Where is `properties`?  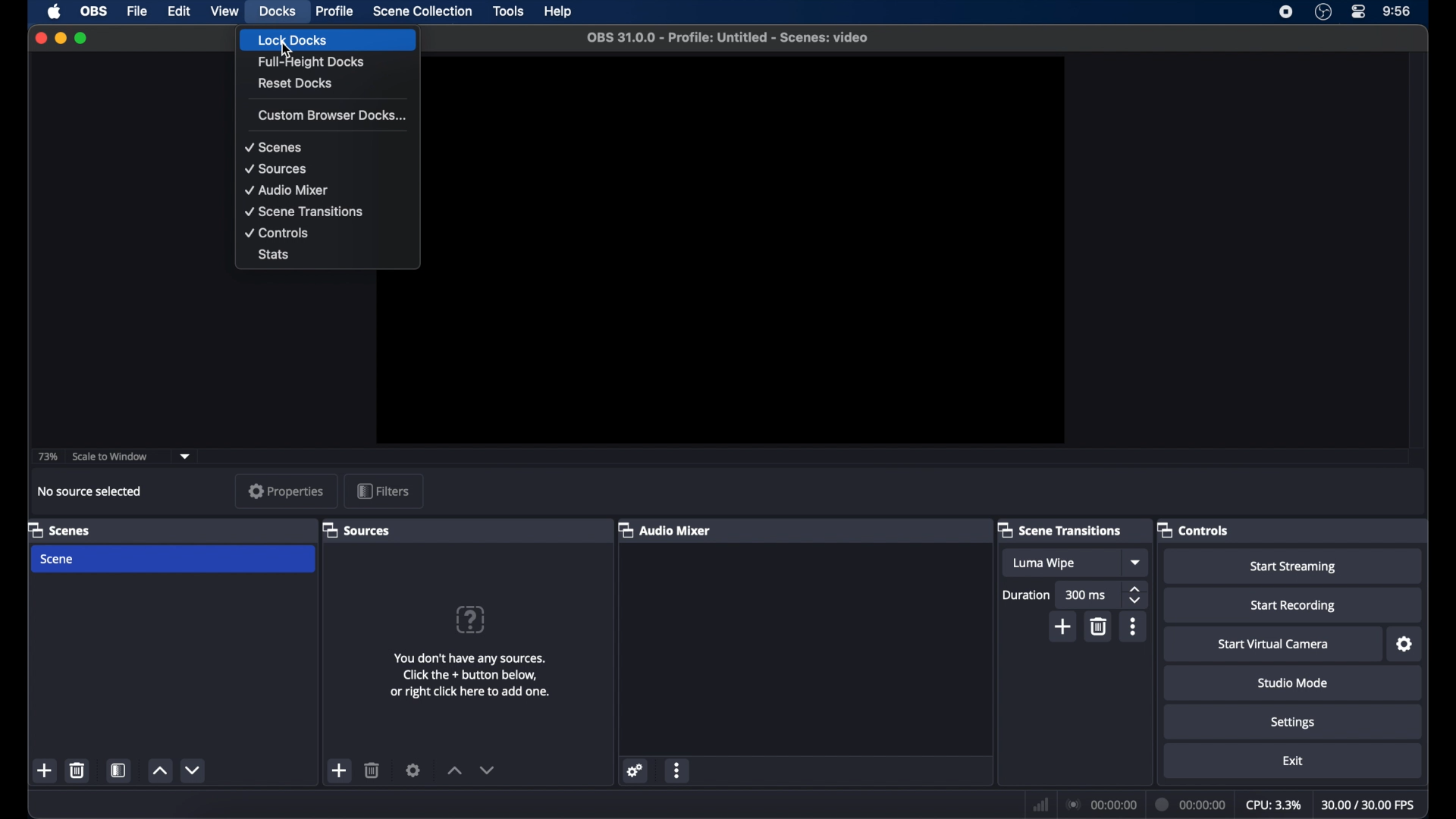 properties is located at coordinates (287, 491).